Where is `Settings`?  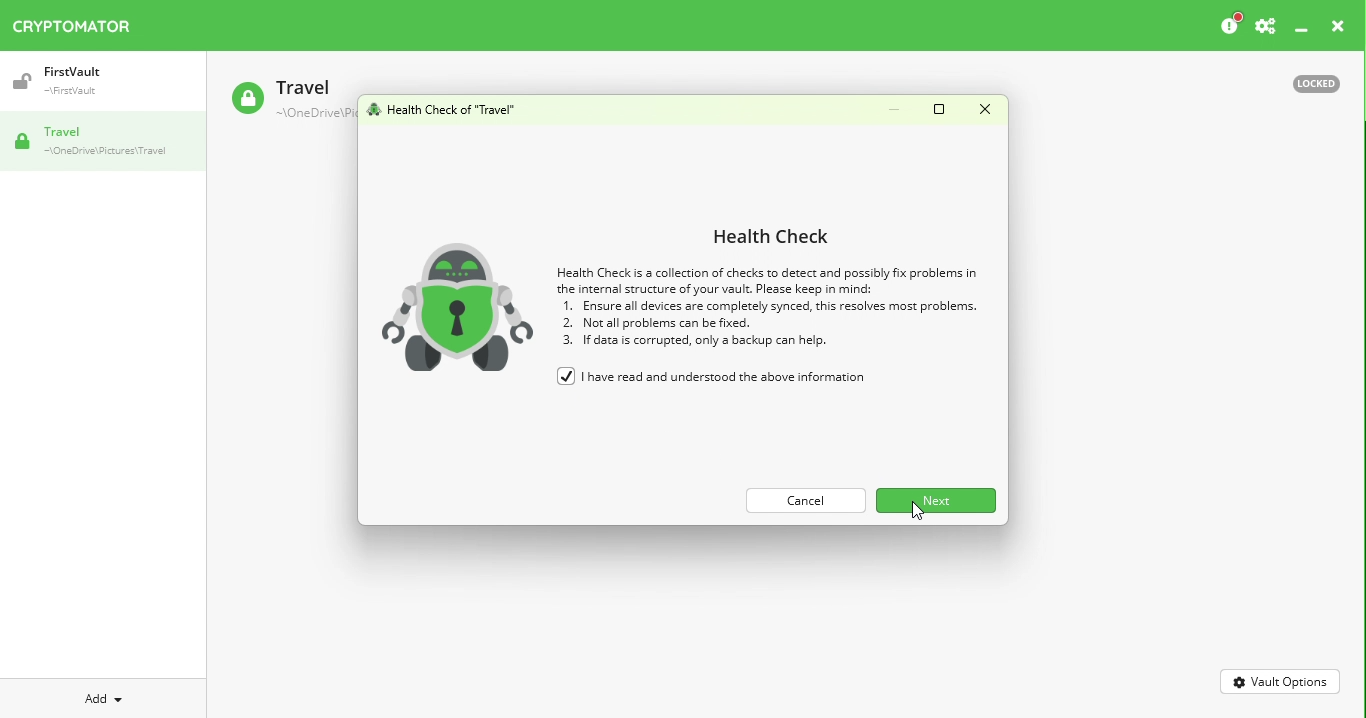
Settings is located at coordinates (1266, 25).